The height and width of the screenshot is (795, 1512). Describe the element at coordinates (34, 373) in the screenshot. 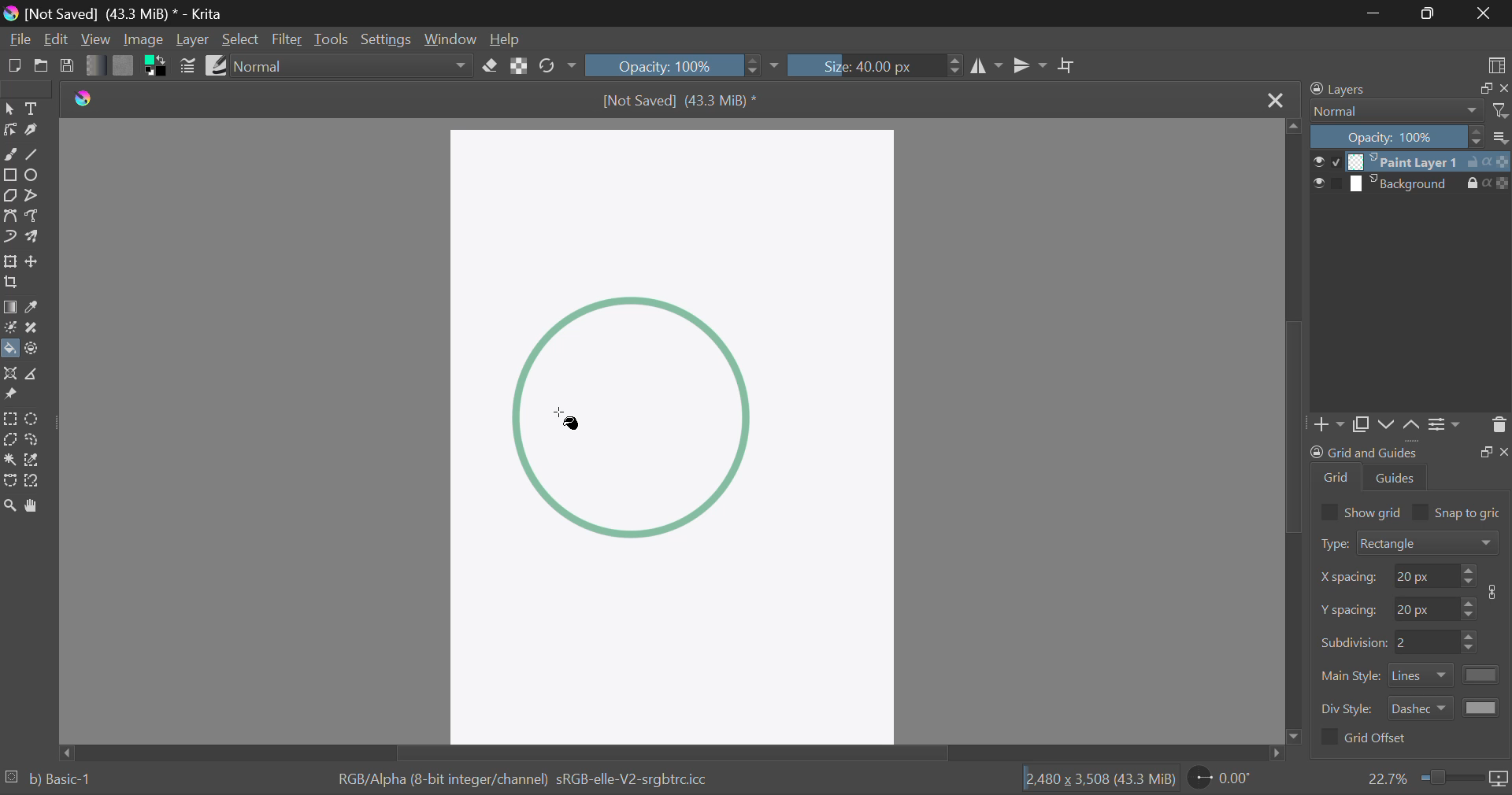

I see `Measurements` at that location.